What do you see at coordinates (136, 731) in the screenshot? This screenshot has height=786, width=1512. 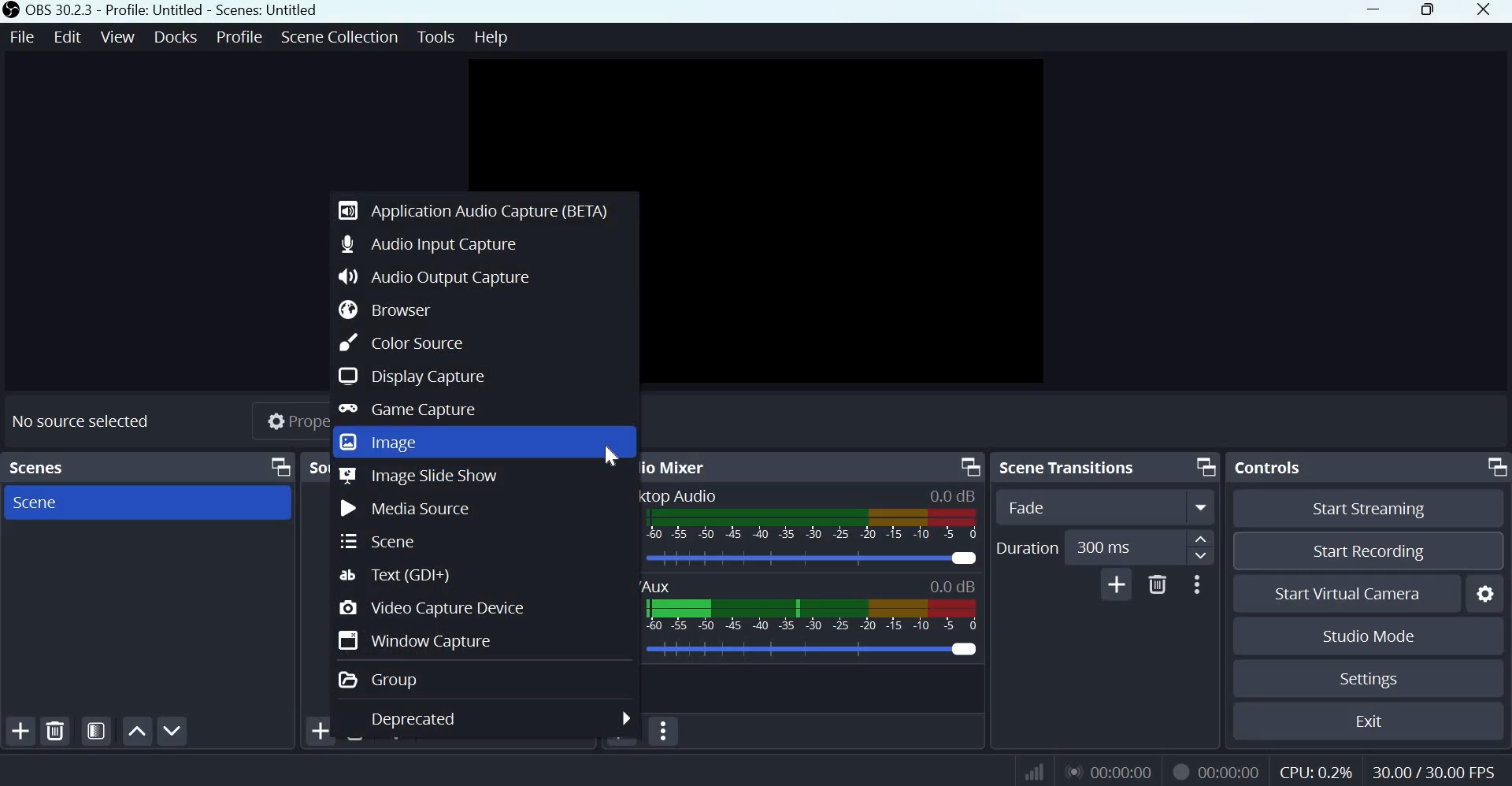 I see `Move scene up` at bounding box center [136, 731].